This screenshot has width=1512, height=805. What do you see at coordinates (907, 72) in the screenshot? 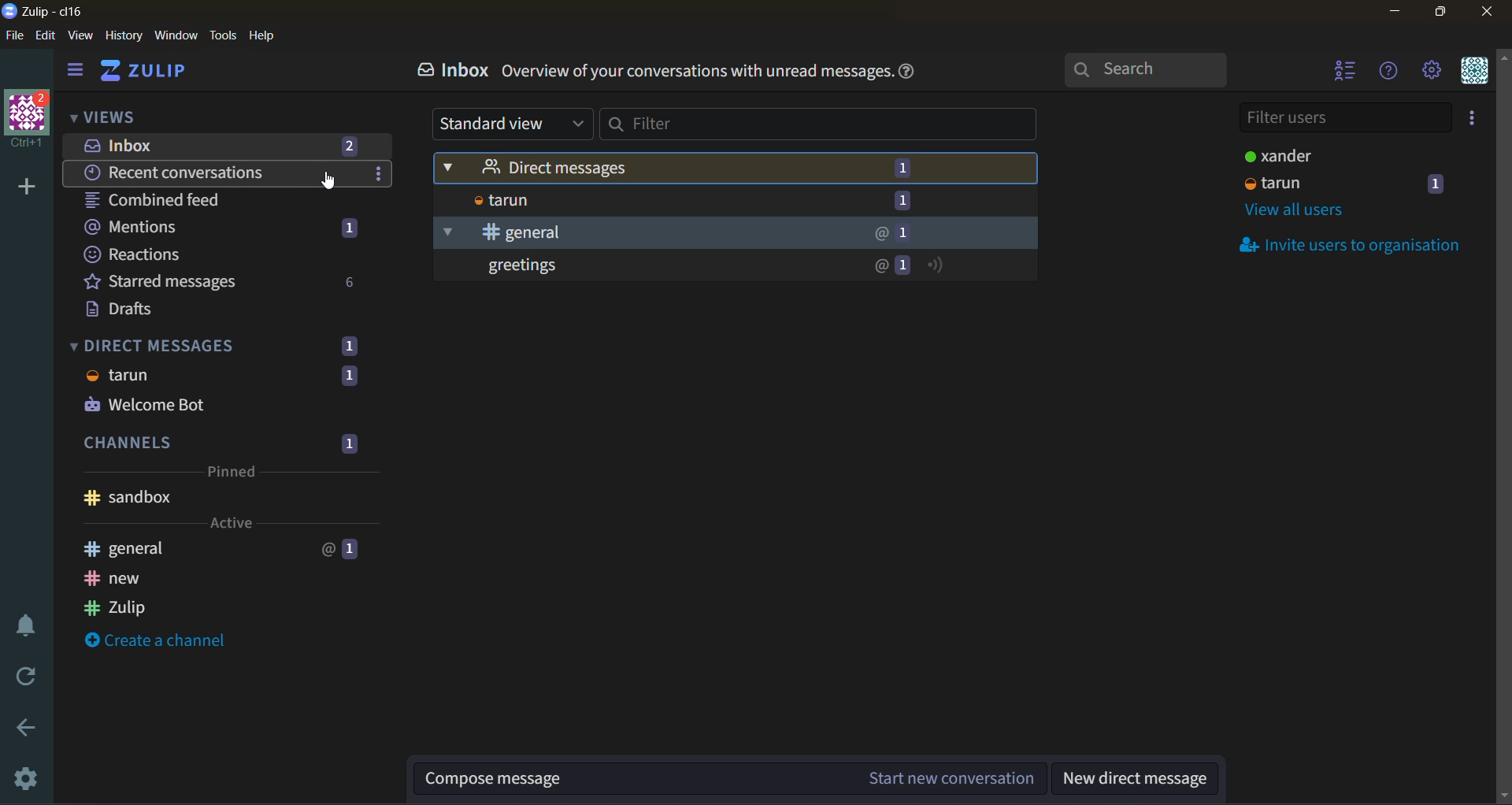
I see `help` at bounding box center [907, 72].